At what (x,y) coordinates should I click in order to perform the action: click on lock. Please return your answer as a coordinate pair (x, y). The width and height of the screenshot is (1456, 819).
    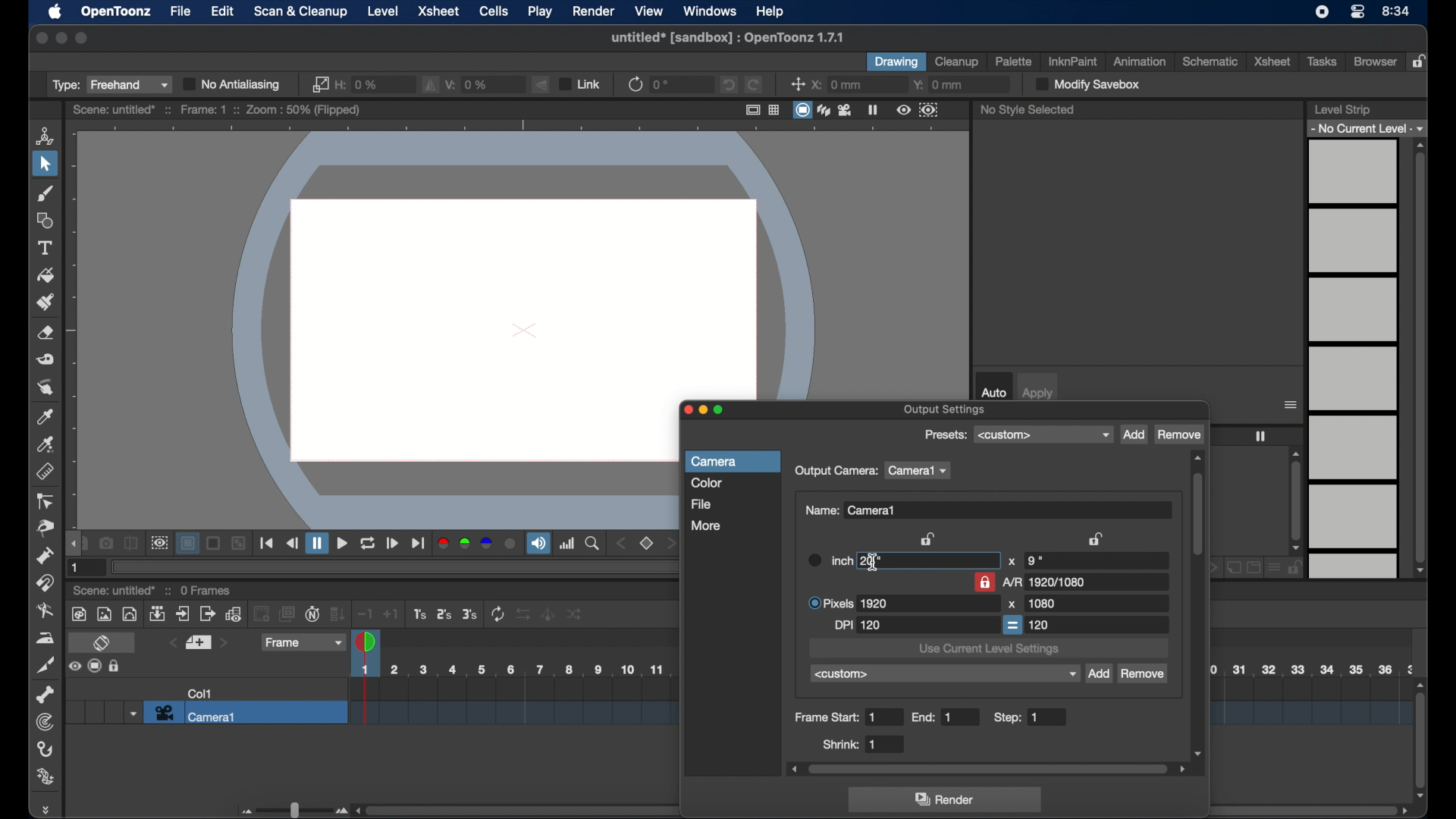
    Looking at the image, I should click on (1421, 62).